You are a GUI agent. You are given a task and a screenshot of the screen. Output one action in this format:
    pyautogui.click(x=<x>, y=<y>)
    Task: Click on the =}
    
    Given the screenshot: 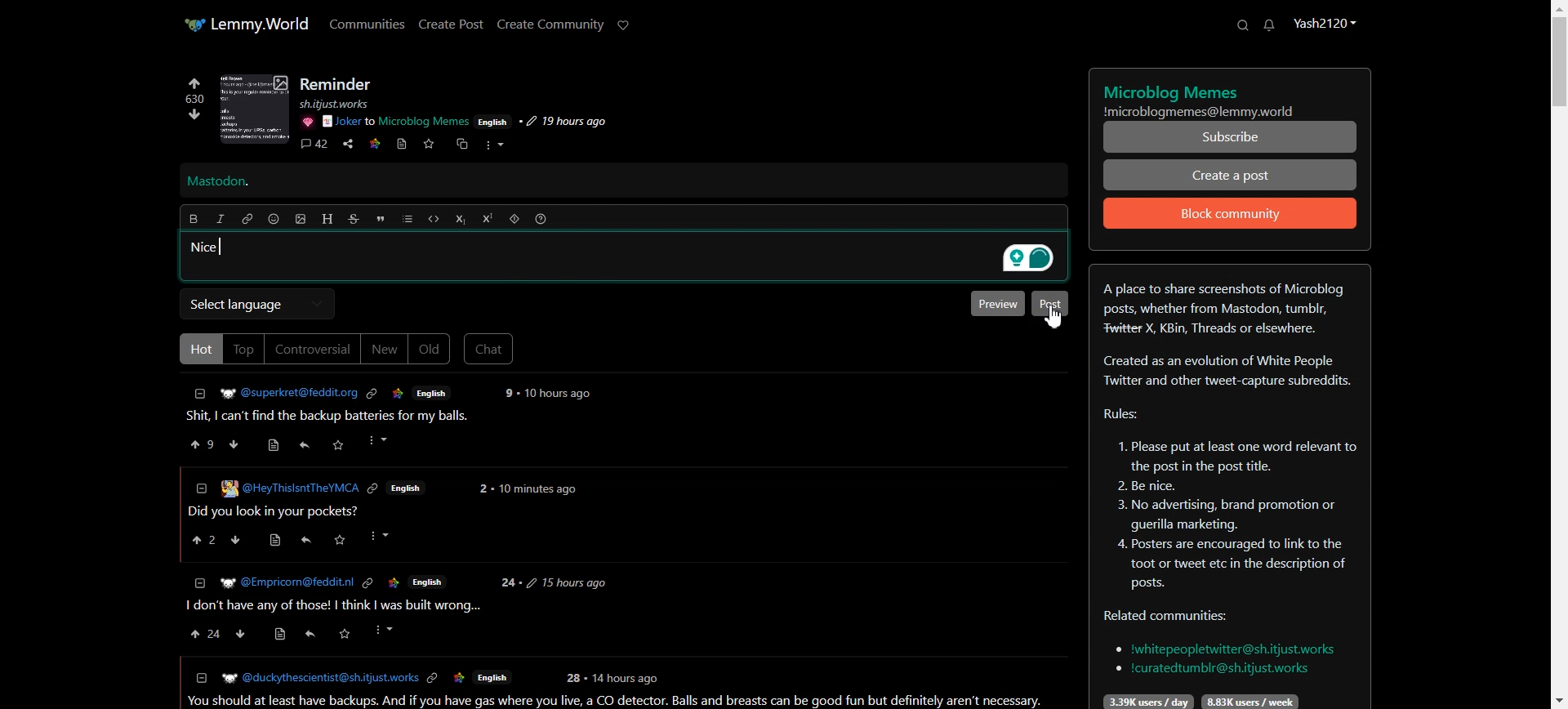 What is the action you would take?
    pyautogui.click(x=198, y=582)
    